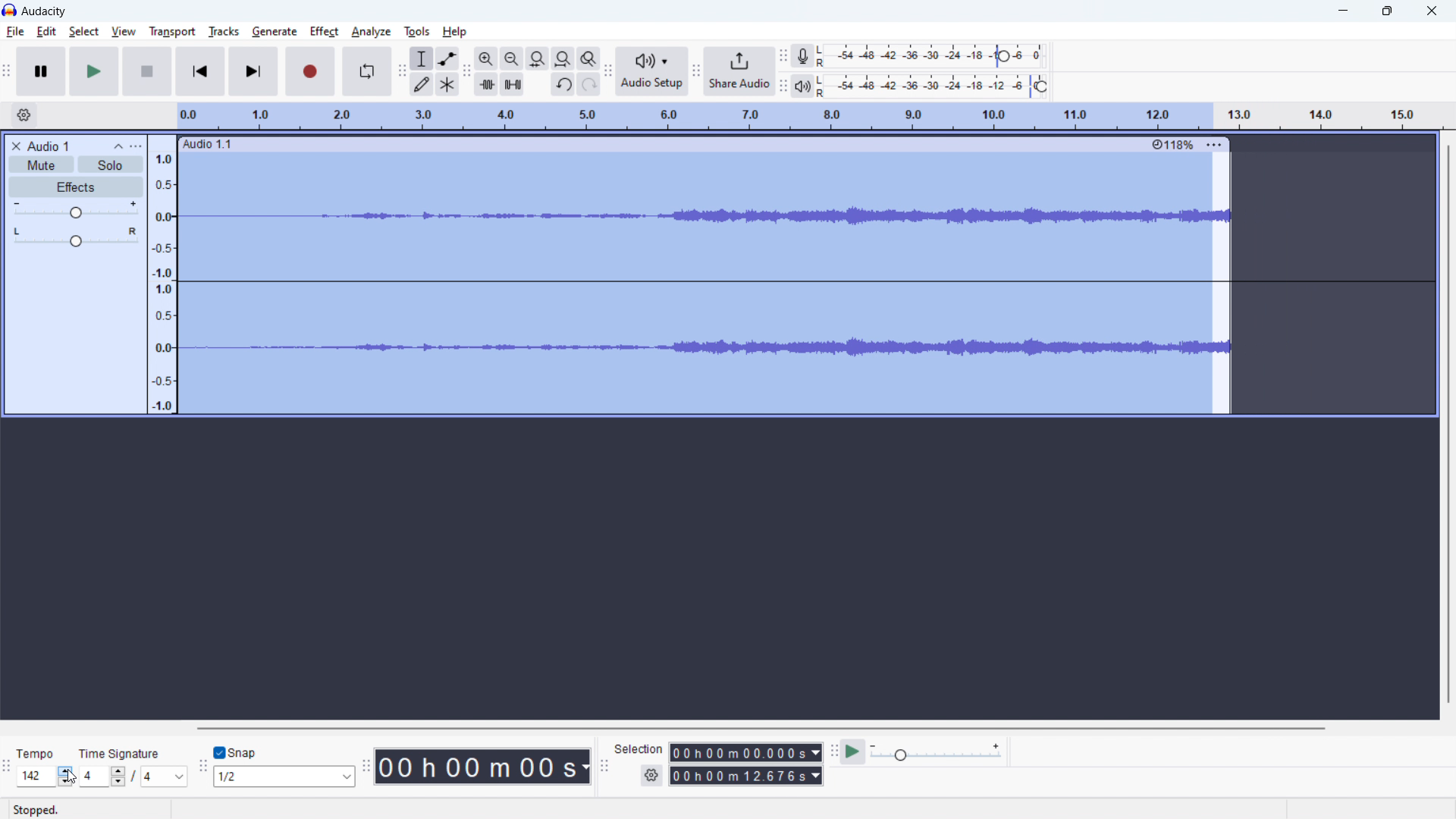 The height and width of the screenshot is (819, 1456). What do you see at coordinates (739, 71) in the screenshot?
I see `share audio` at bounding box center [739, 71].